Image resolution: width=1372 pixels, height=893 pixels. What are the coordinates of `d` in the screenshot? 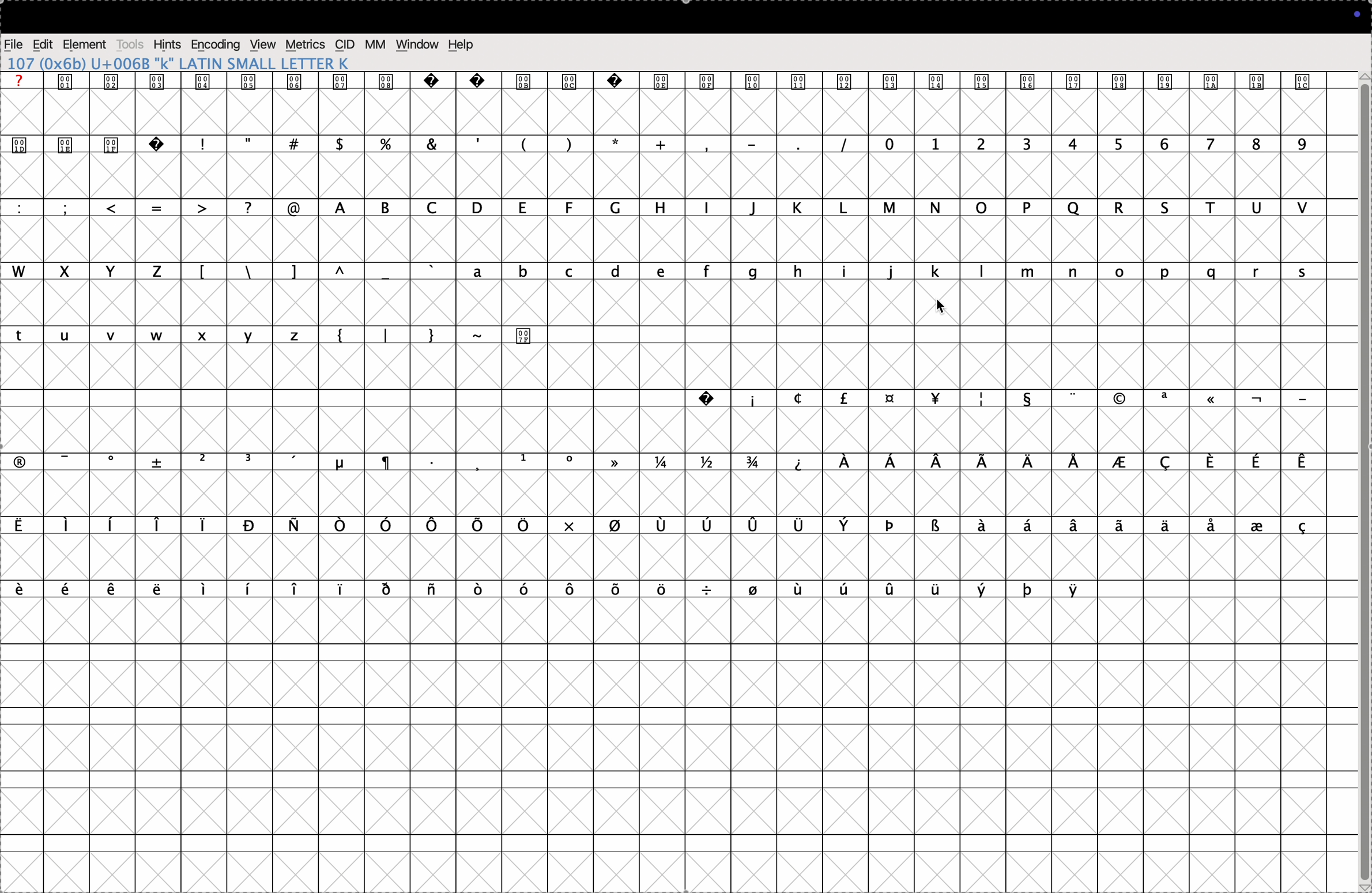 It's located at (615, 272).